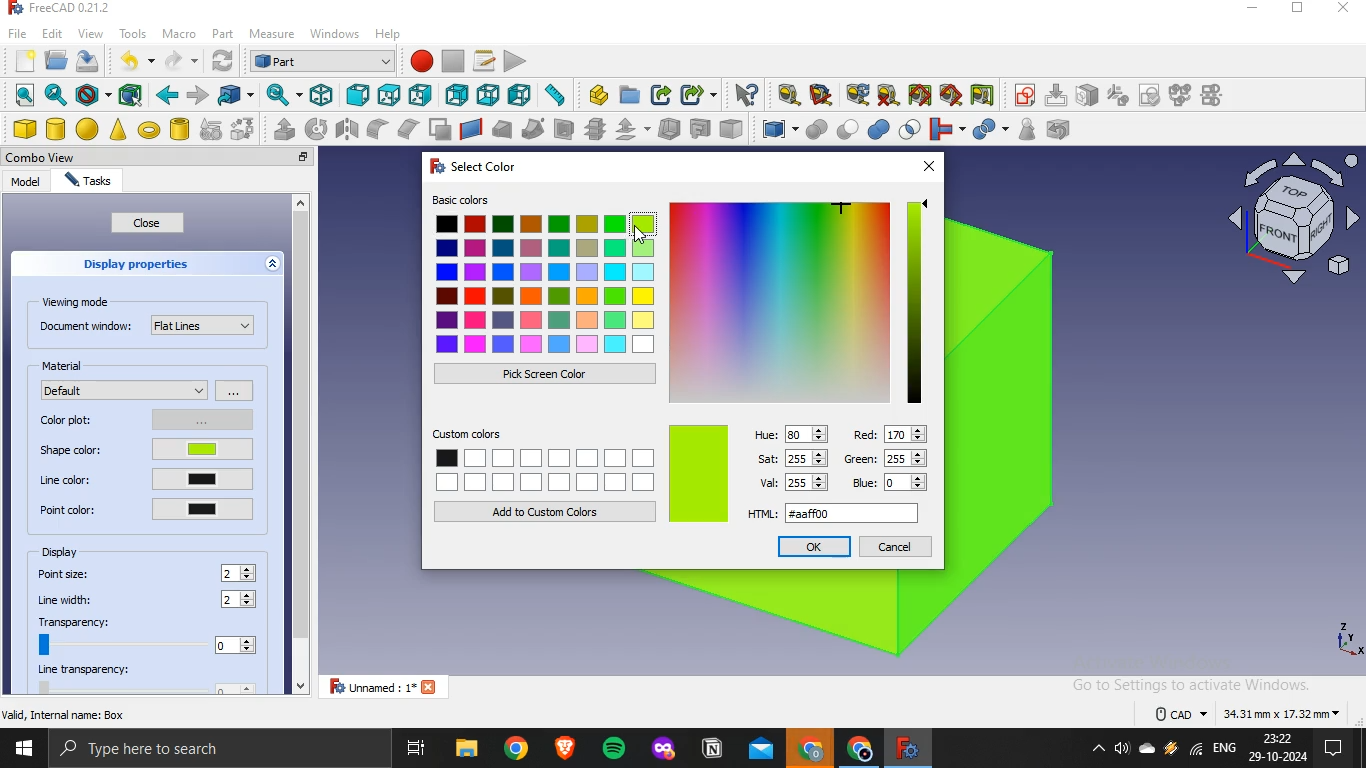 This screenshot has width=1366, height=768. Describe the element at coordinates (389, 686) in the screenshot. I see `unnamed` at that location.